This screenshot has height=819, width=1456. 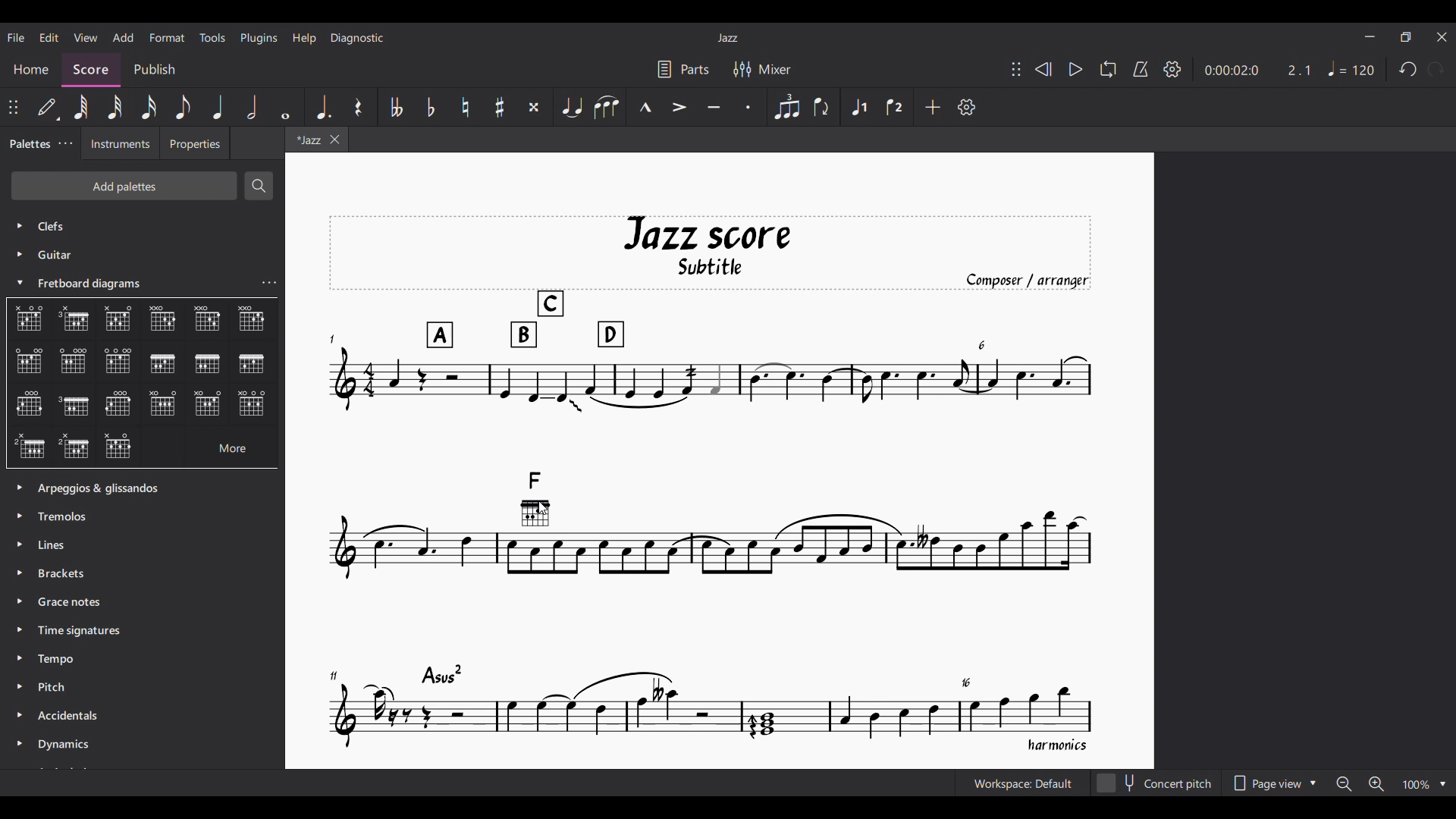 What do you see at coordinates (22, 616) in the screenshot?
I see `Expand` at bounding box center [22, 616].